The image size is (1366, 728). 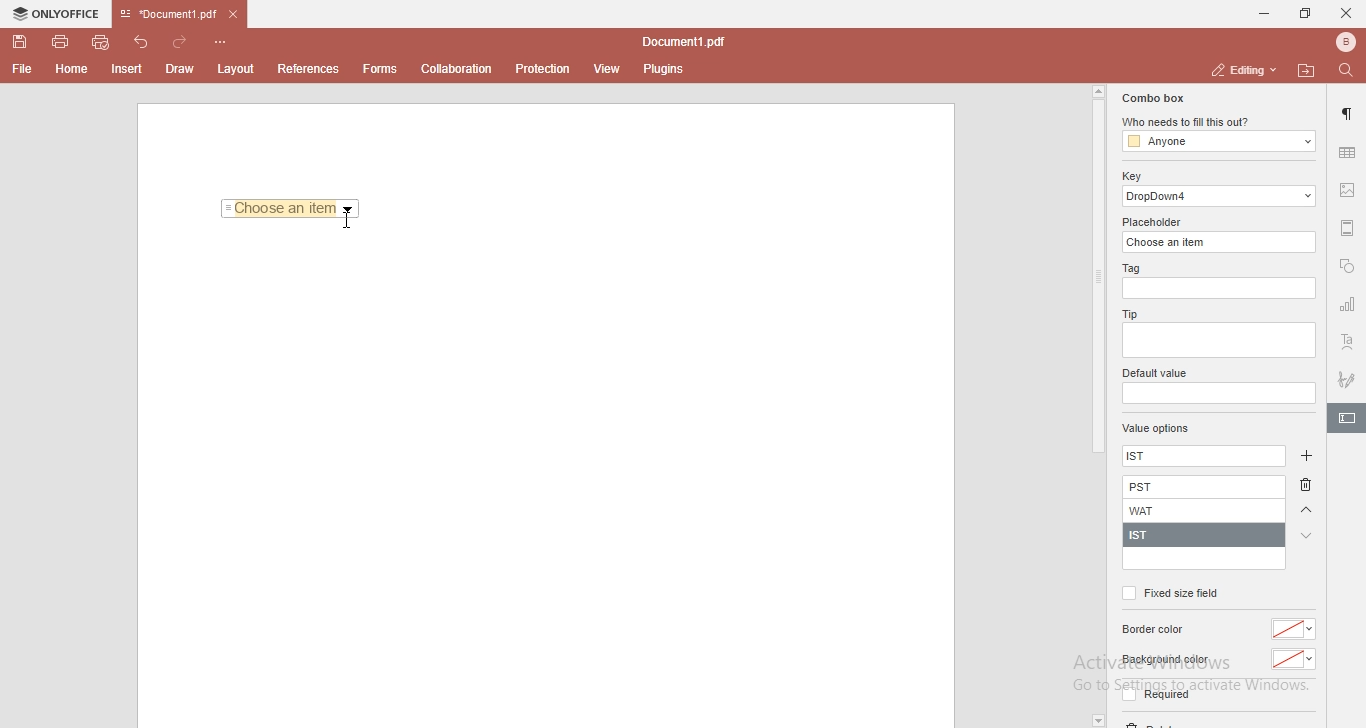 What do you see at coordinates (1305, 454) in the screenshot?
I see `add button ` at bounding box center [1305, 454].